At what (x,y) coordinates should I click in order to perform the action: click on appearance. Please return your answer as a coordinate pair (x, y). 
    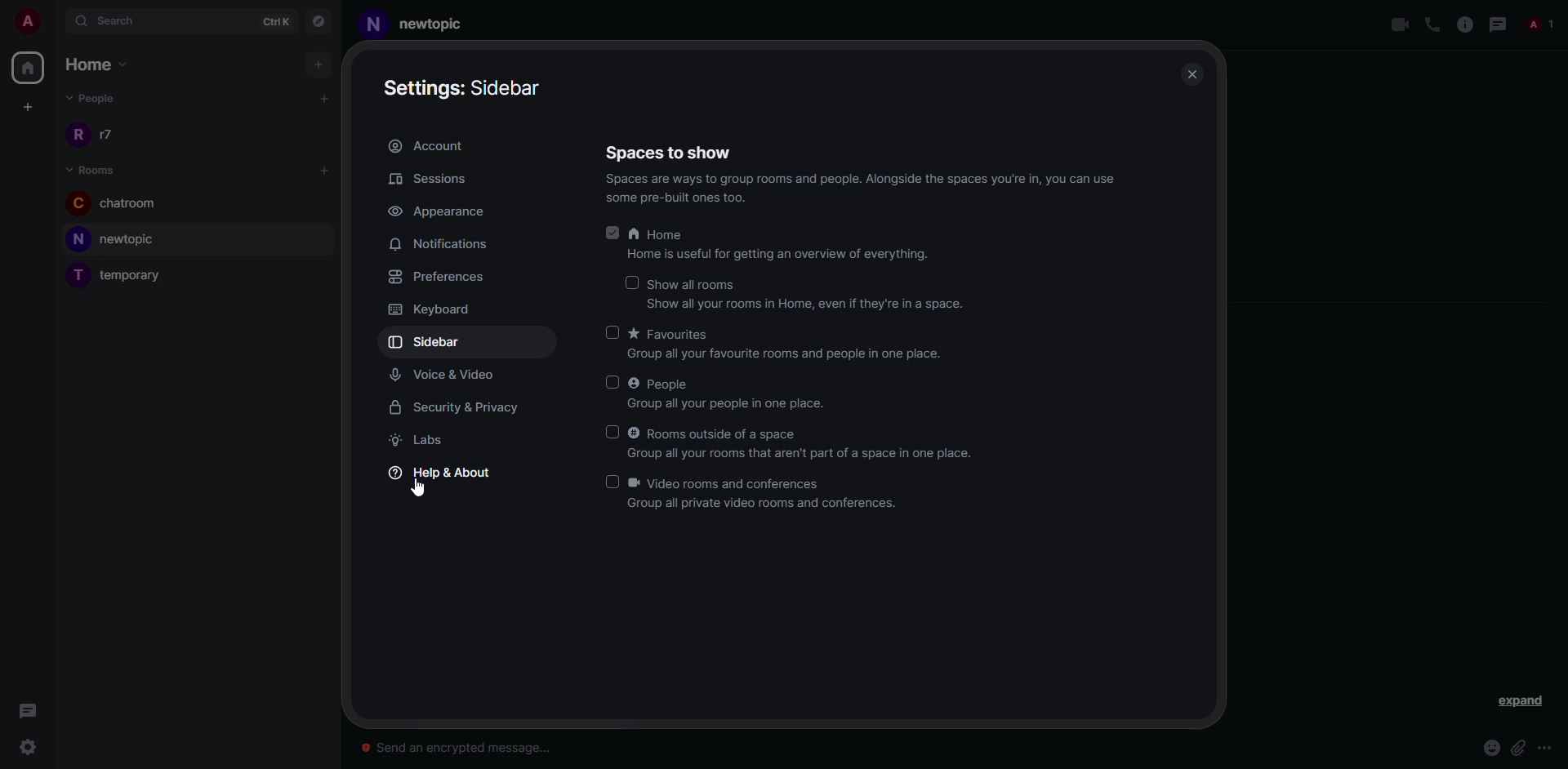
    Looking at the image, I should click on (439, 212).